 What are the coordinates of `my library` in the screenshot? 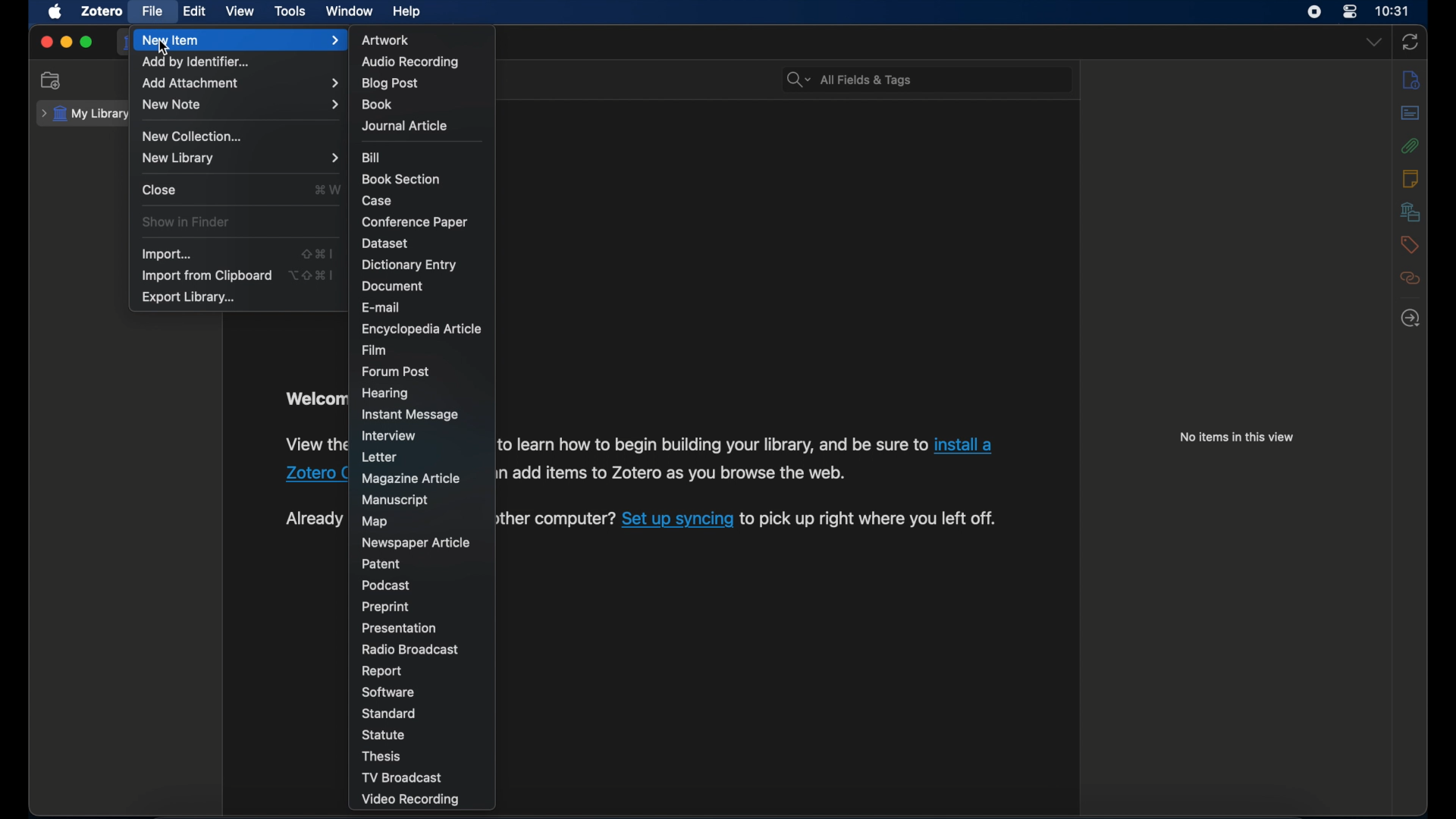 It's located at (85, 115).